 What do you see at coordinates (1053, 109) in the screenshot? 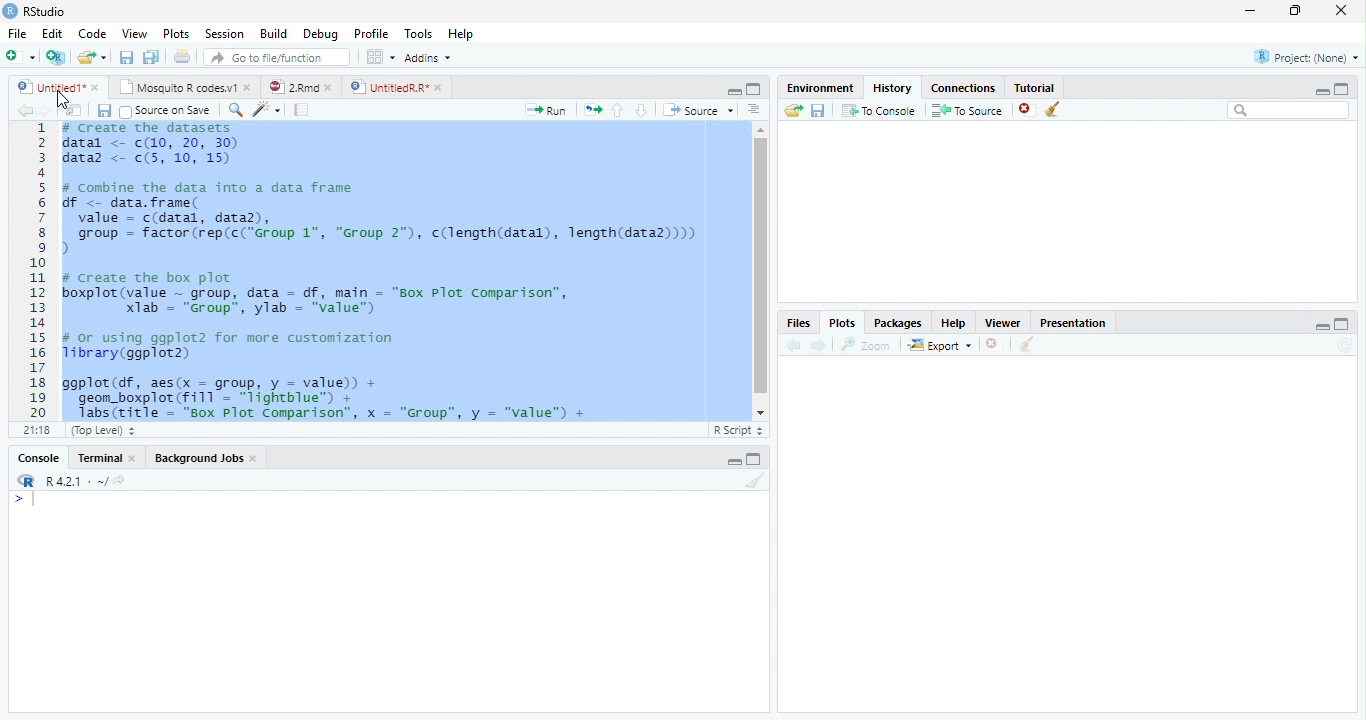
I see `Clear all history entries` at bounding box center [1053, 109].